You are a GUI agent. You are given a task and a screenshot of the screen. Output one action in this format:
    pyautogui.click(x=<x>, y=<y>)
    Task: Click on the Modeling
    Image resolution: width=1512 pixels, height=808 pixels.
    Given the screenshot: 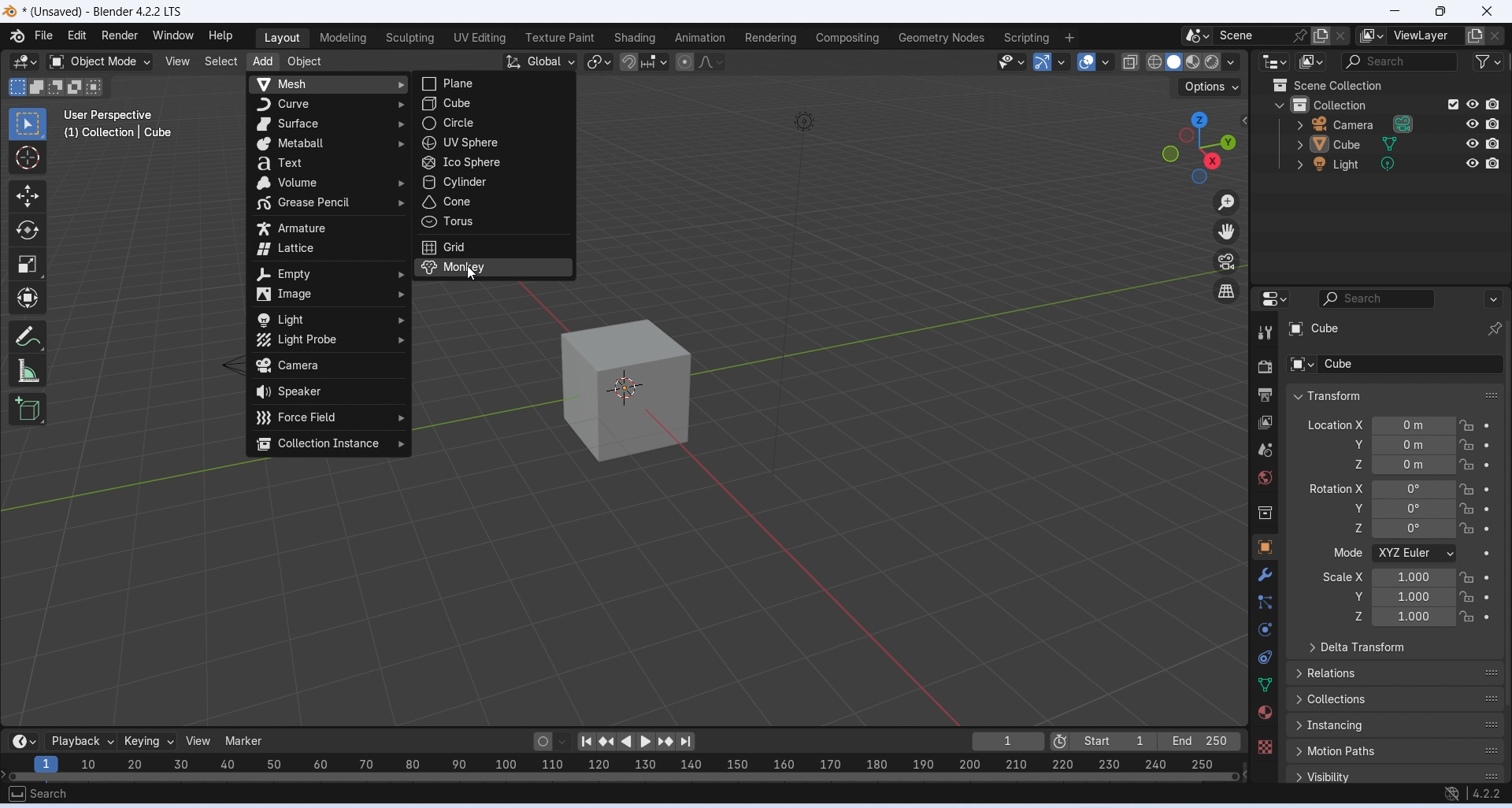 What is the action you would take?
    pyautogui.click(x=343, y=38)
    